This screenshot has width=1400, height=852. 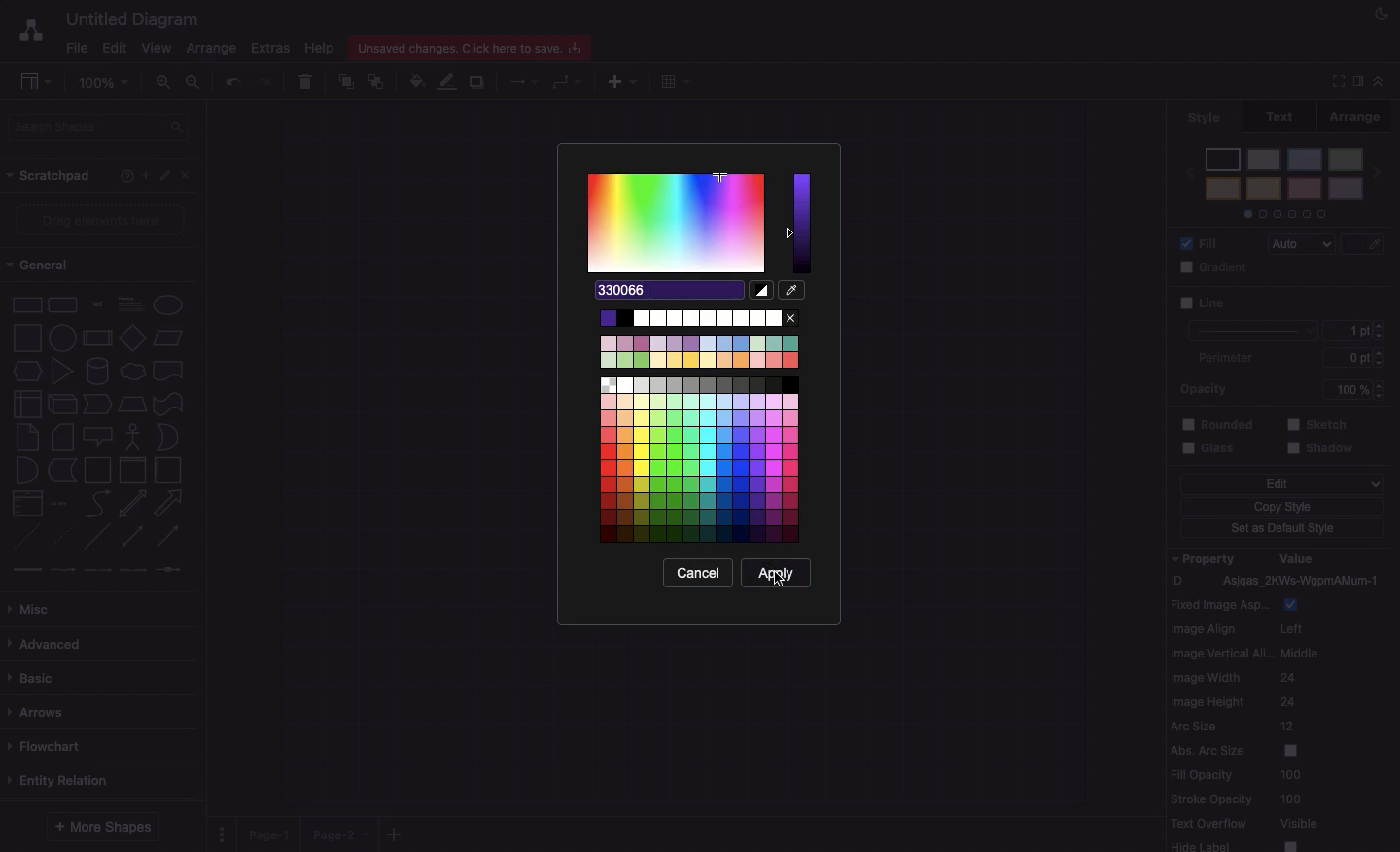 I want to click on Line color, so click(x=450, y=81).